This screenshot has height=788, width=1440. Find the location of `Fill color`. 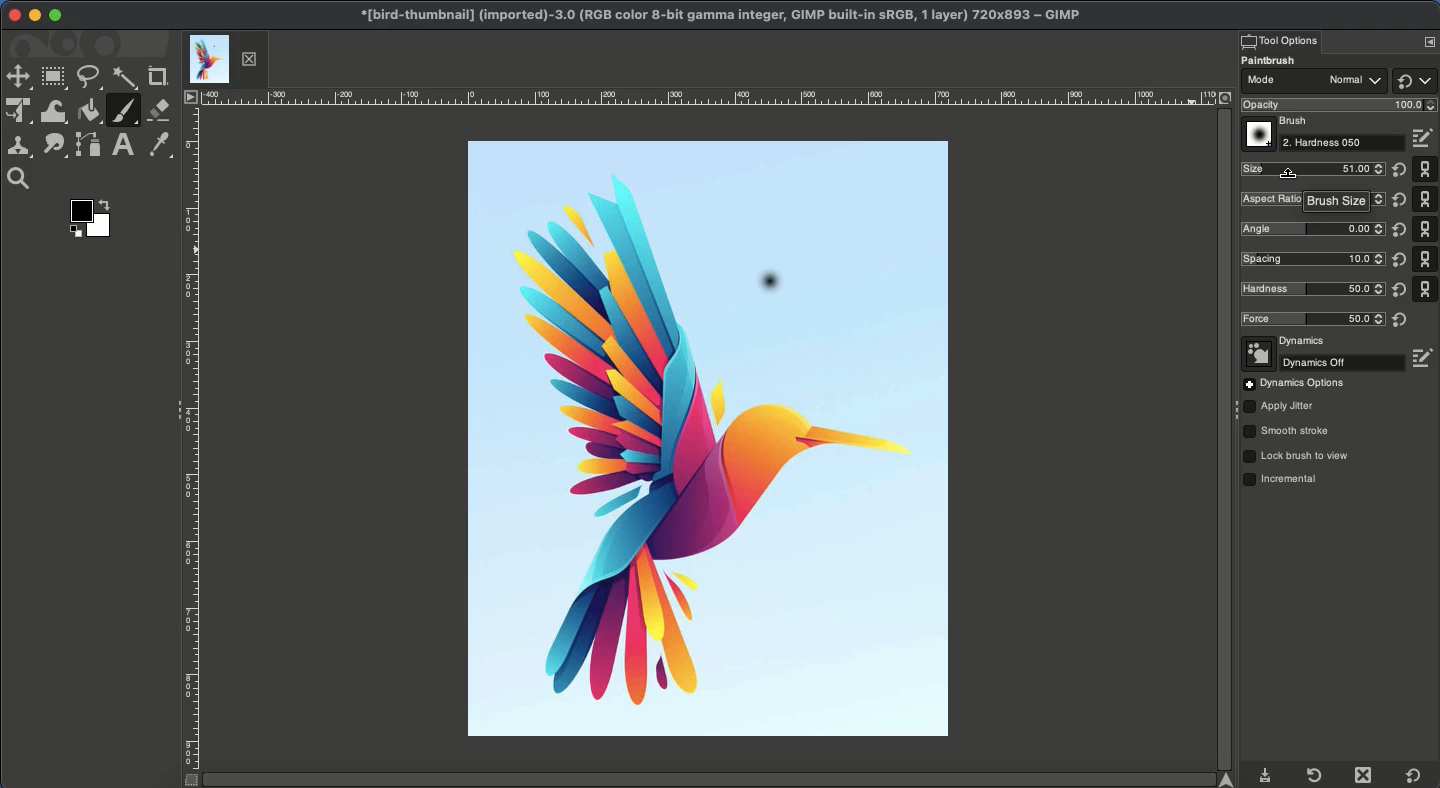

Fill color is located at coordinates (89, 111).